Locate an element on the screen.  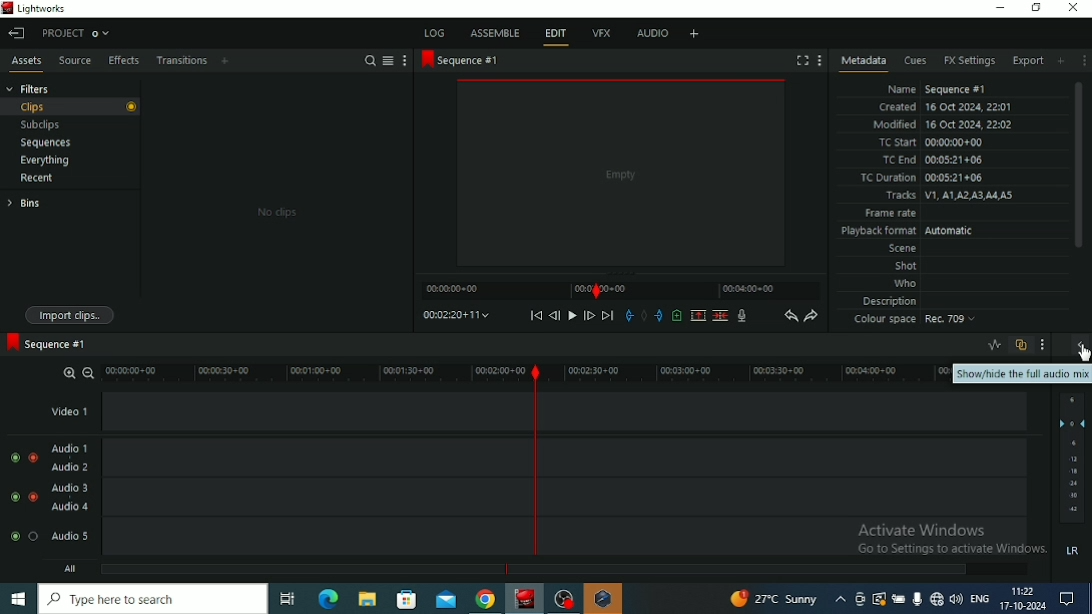
Transitions is located at coordinates (181, 61).